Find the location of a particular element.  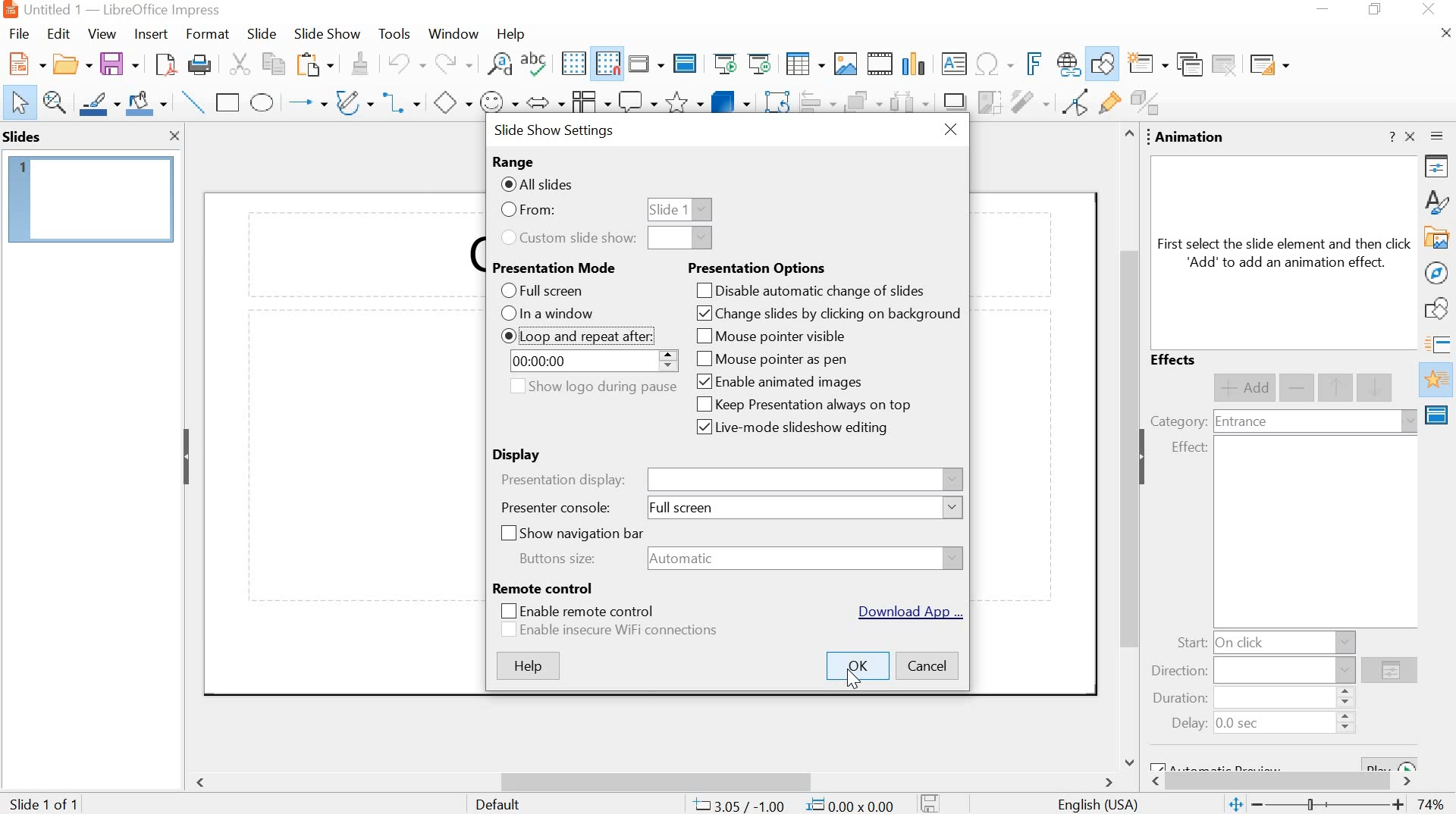

insert image is located at coordinates (845, 64).